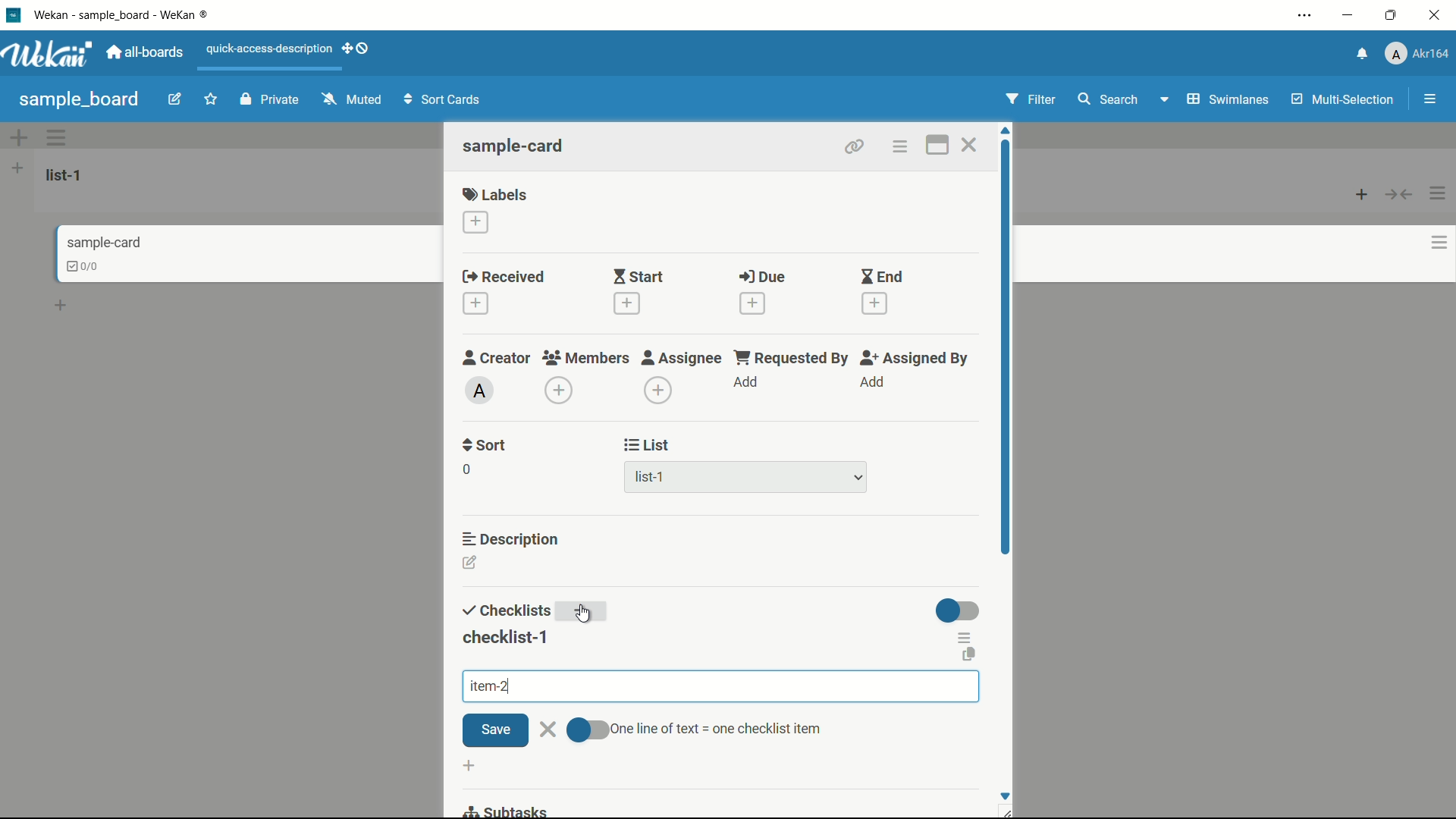 This screenshot has height=819, width=1456. Describe the element at coordinates (1346, 16) in the screenshot. I see `minimize` at that location.